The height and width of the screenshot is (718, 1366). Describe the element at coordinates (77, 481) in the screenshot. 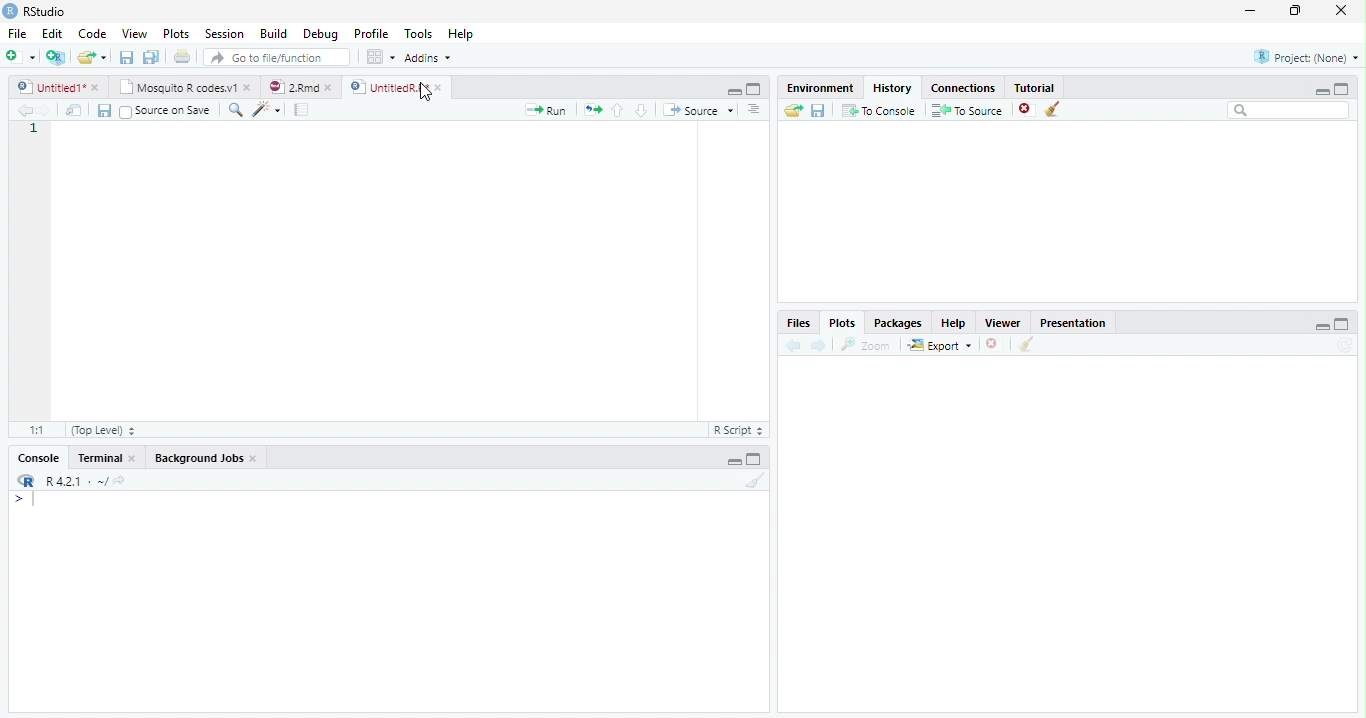

I see `R 4.2.1 ~/` at that location.